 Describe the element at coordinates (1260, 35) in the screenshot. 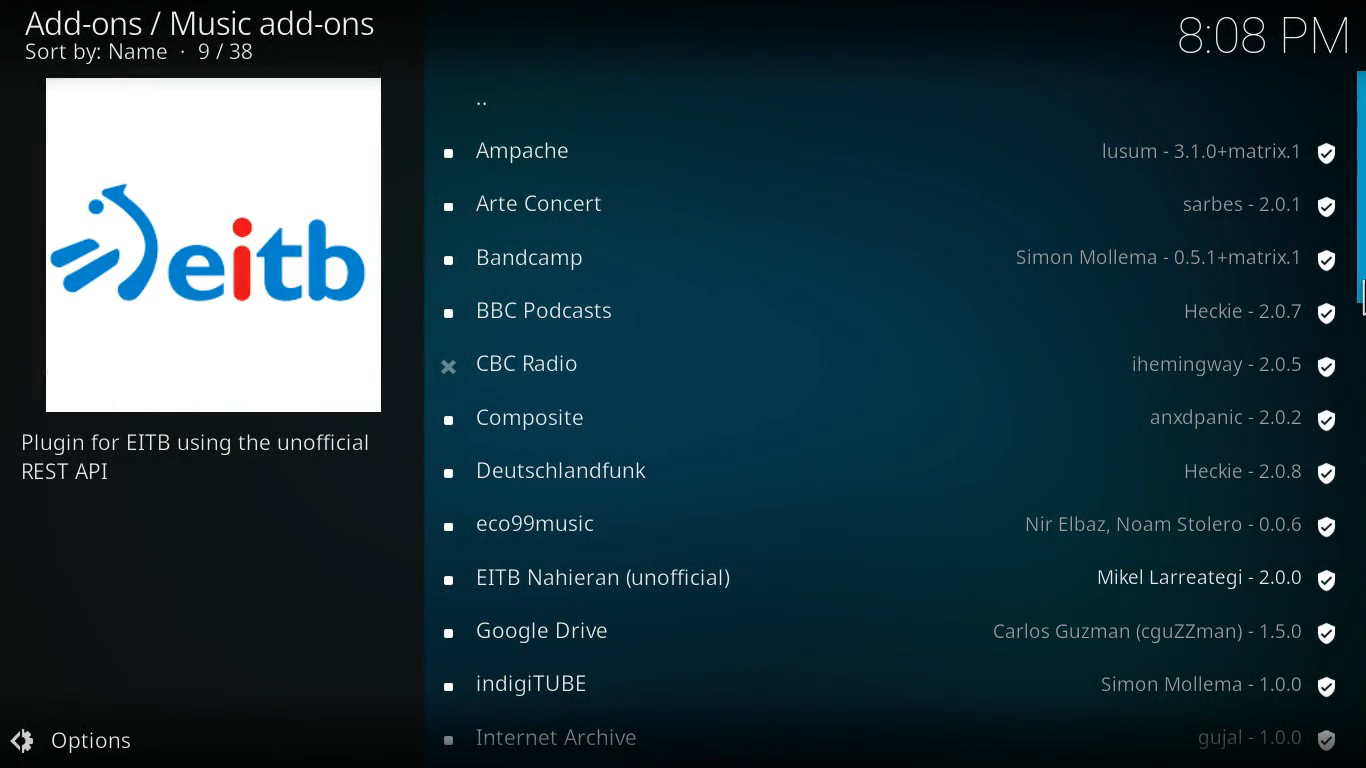

I see `Time - 8:08PM` at that location.